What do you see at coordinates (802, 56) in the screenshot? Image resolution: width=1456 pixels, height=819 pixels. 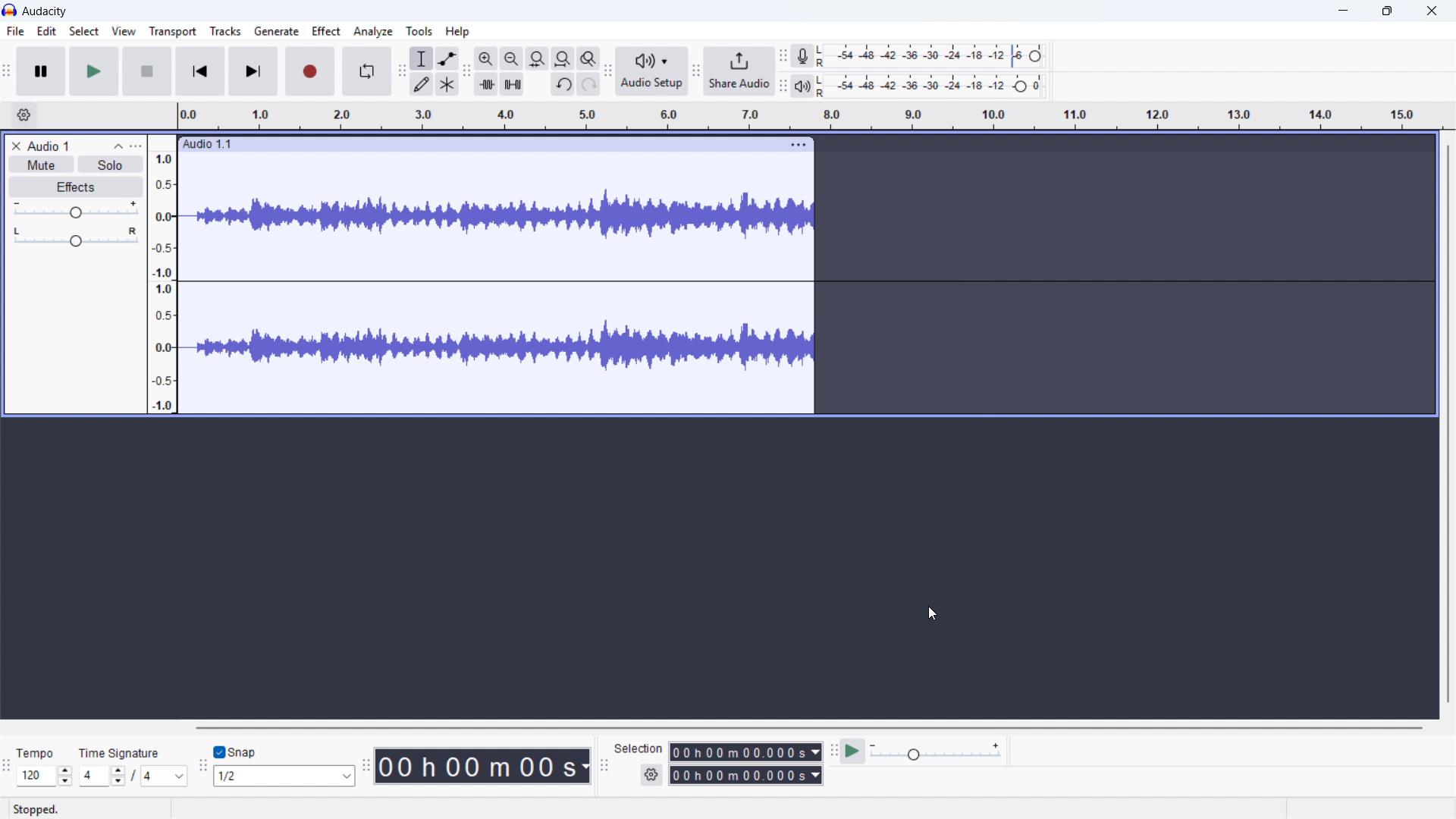 I see `Recording metre ` at bounding box center [802, 56].